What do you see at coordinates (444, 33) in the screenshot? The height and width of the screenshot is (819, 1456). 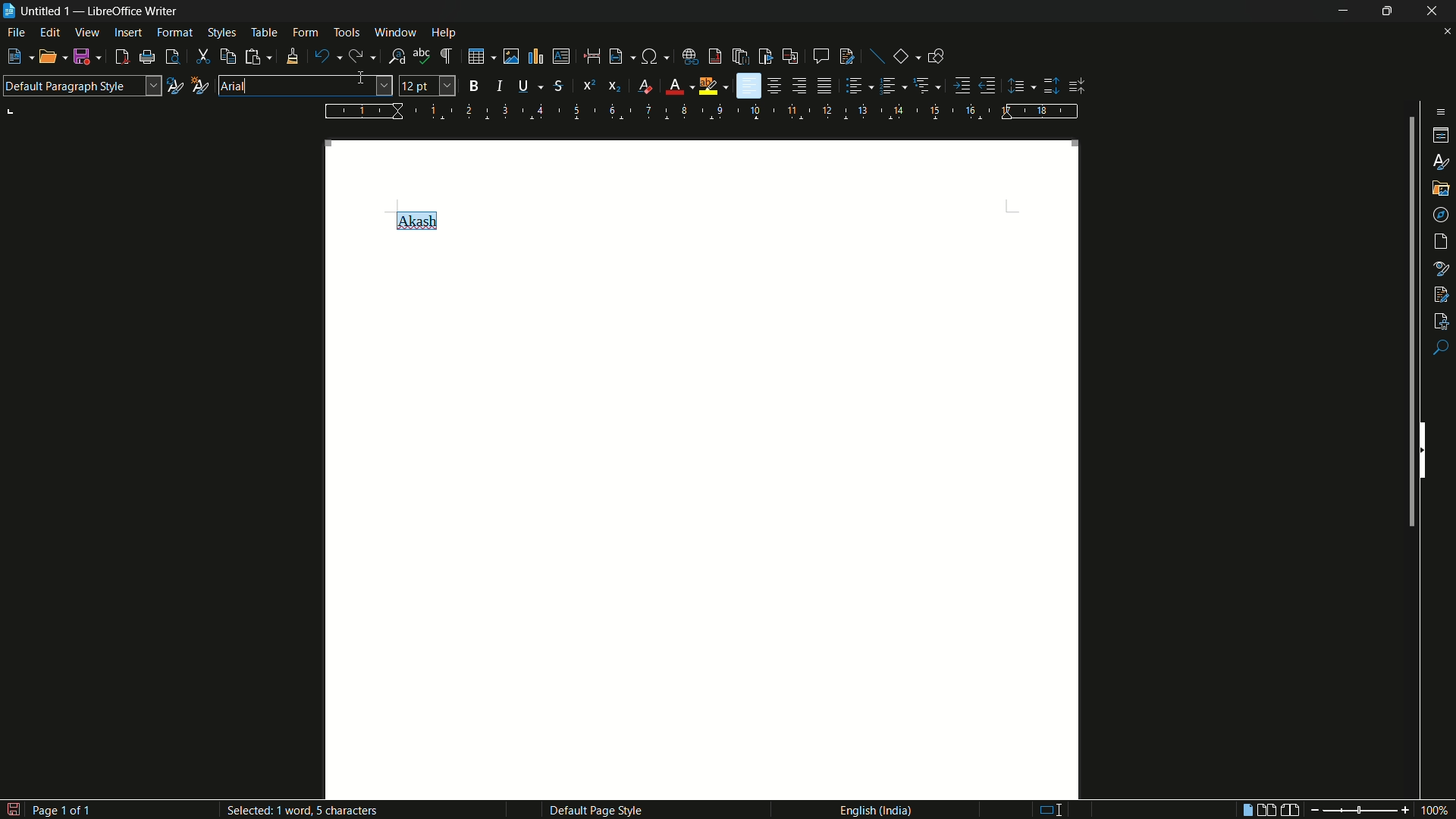 I see `help menu` at bounding box center [444, 33].